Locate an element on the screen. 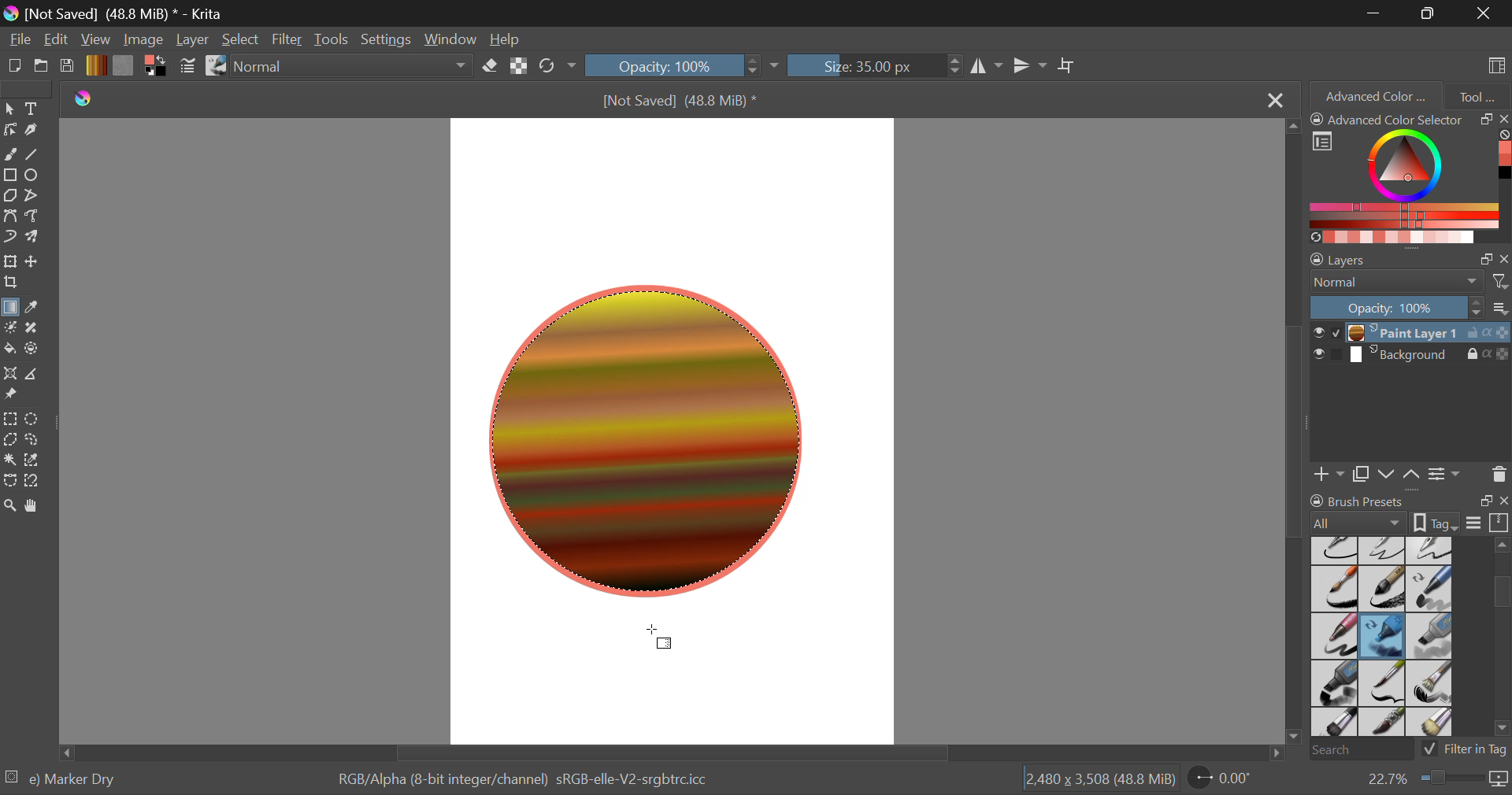 This screenshot has width=1512, height=795. Brush Presets Docket Tab is located at coordinates (1409, 509).